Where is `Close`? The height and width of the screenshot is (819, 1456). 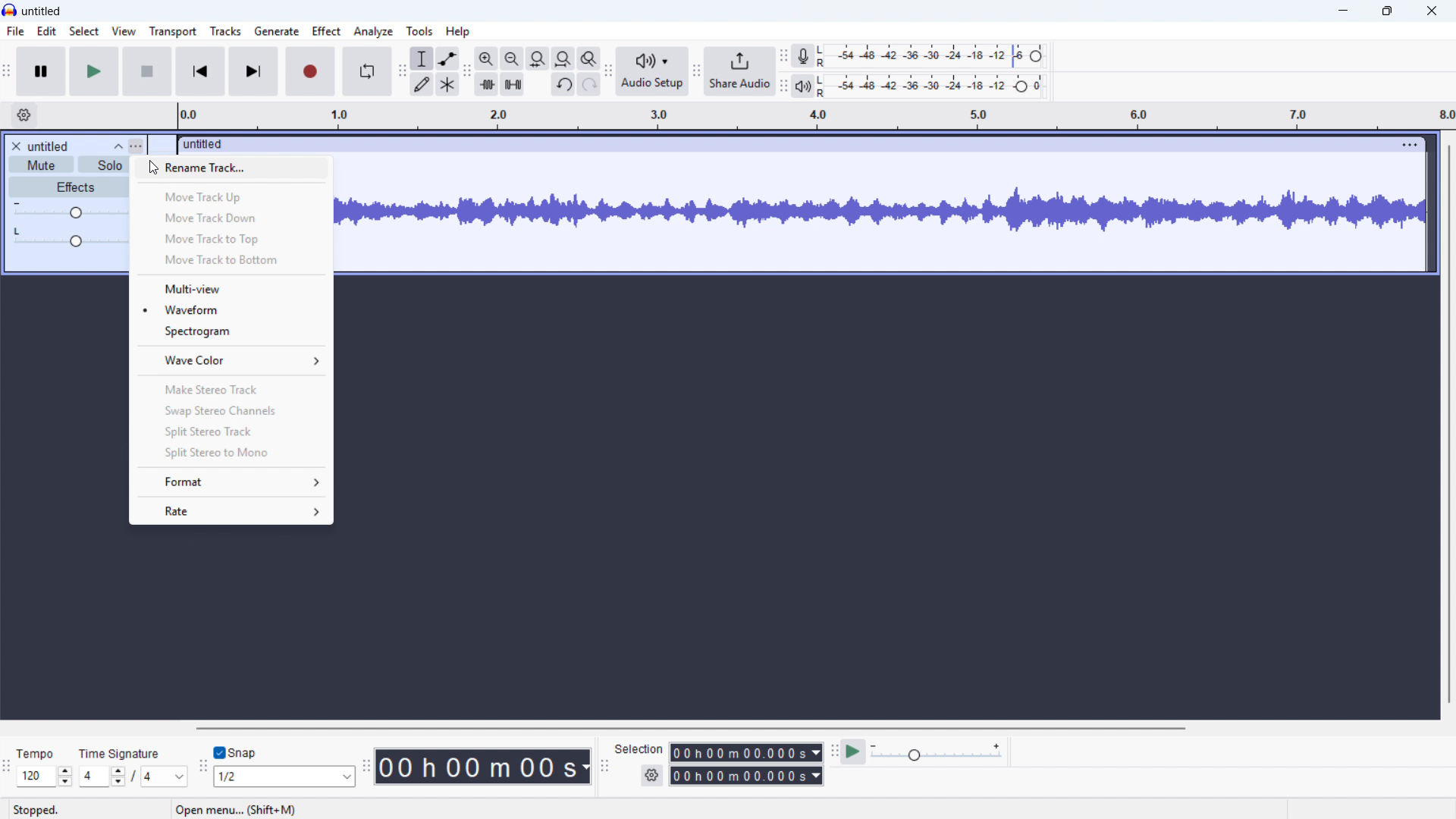 Close is located at coordinates (1432, 12).